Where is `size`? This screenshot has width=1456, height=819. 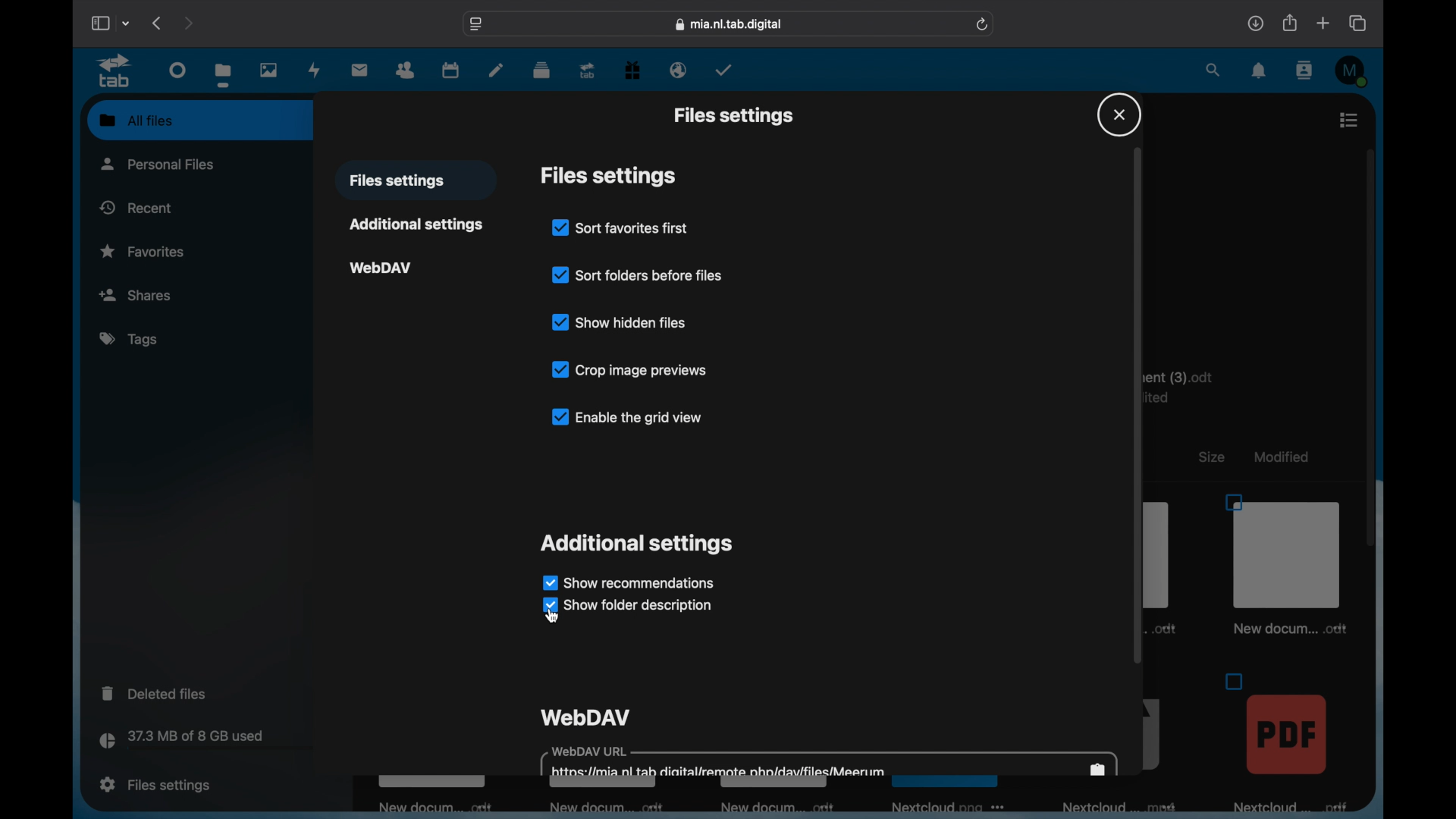
size is located at coordinates (1212, 457).